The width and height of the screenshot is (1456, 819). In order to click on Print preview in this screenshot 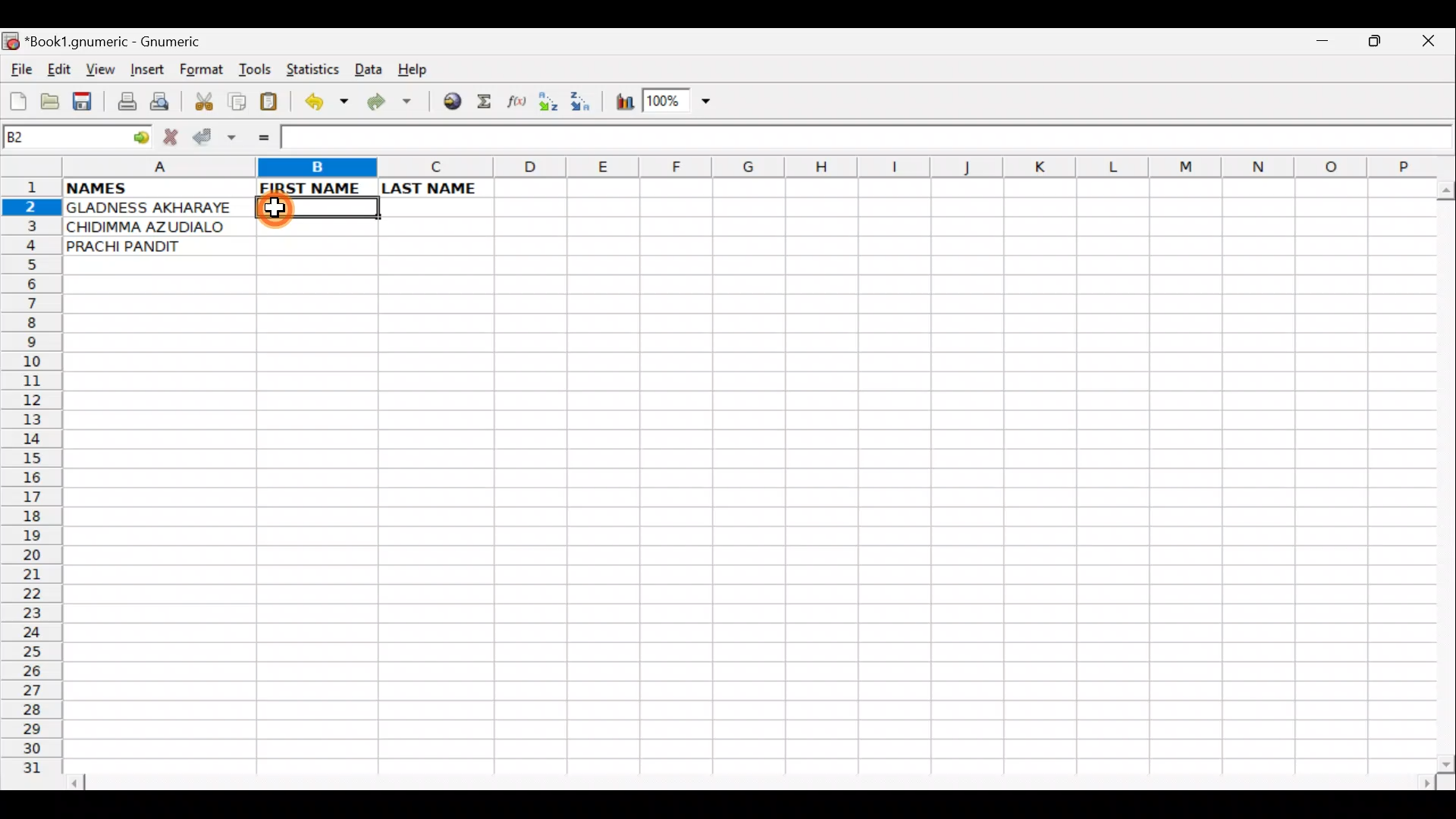, I will do `click(160, 105)`.